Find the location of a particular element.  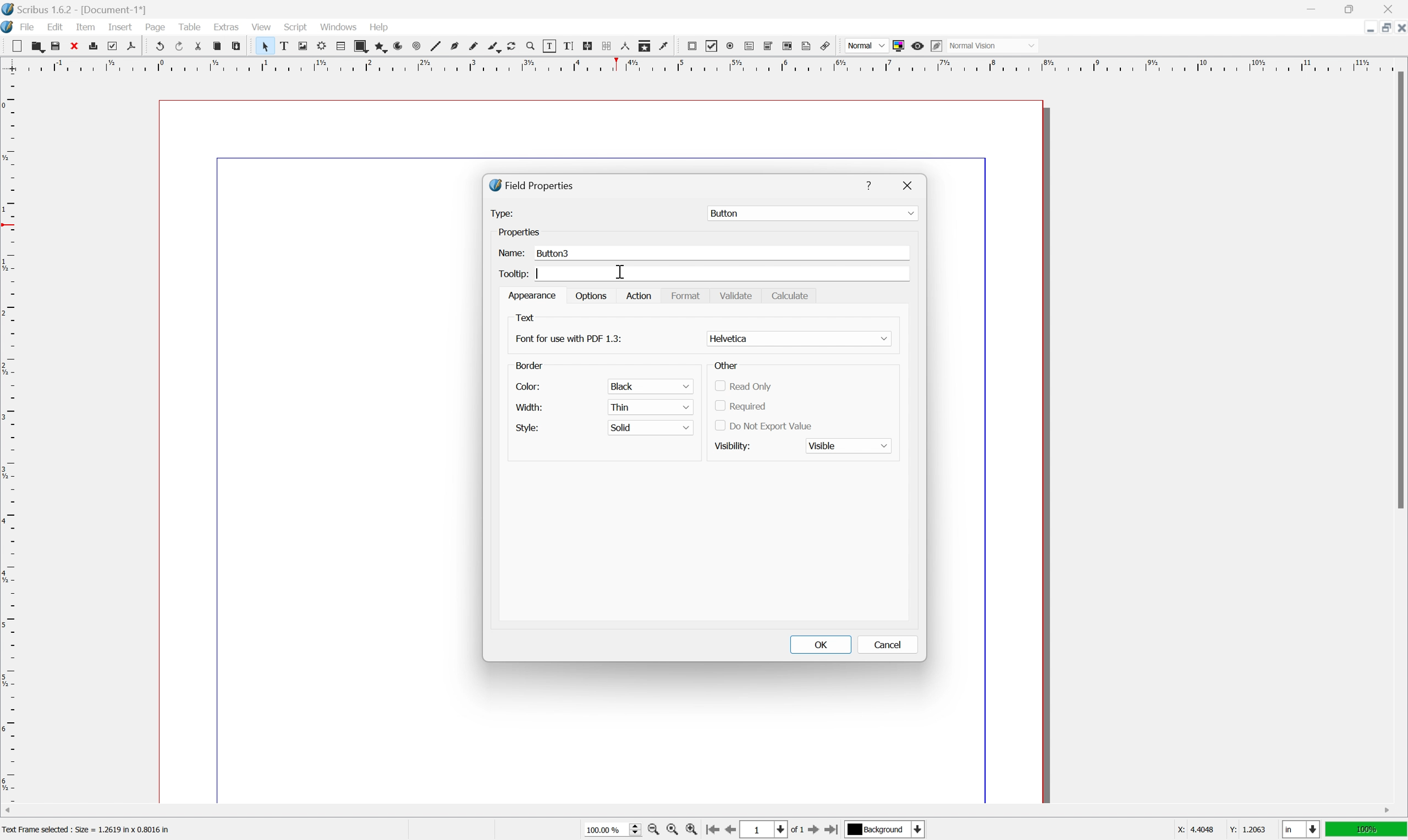

measurements is located at coordinates (625, 47).